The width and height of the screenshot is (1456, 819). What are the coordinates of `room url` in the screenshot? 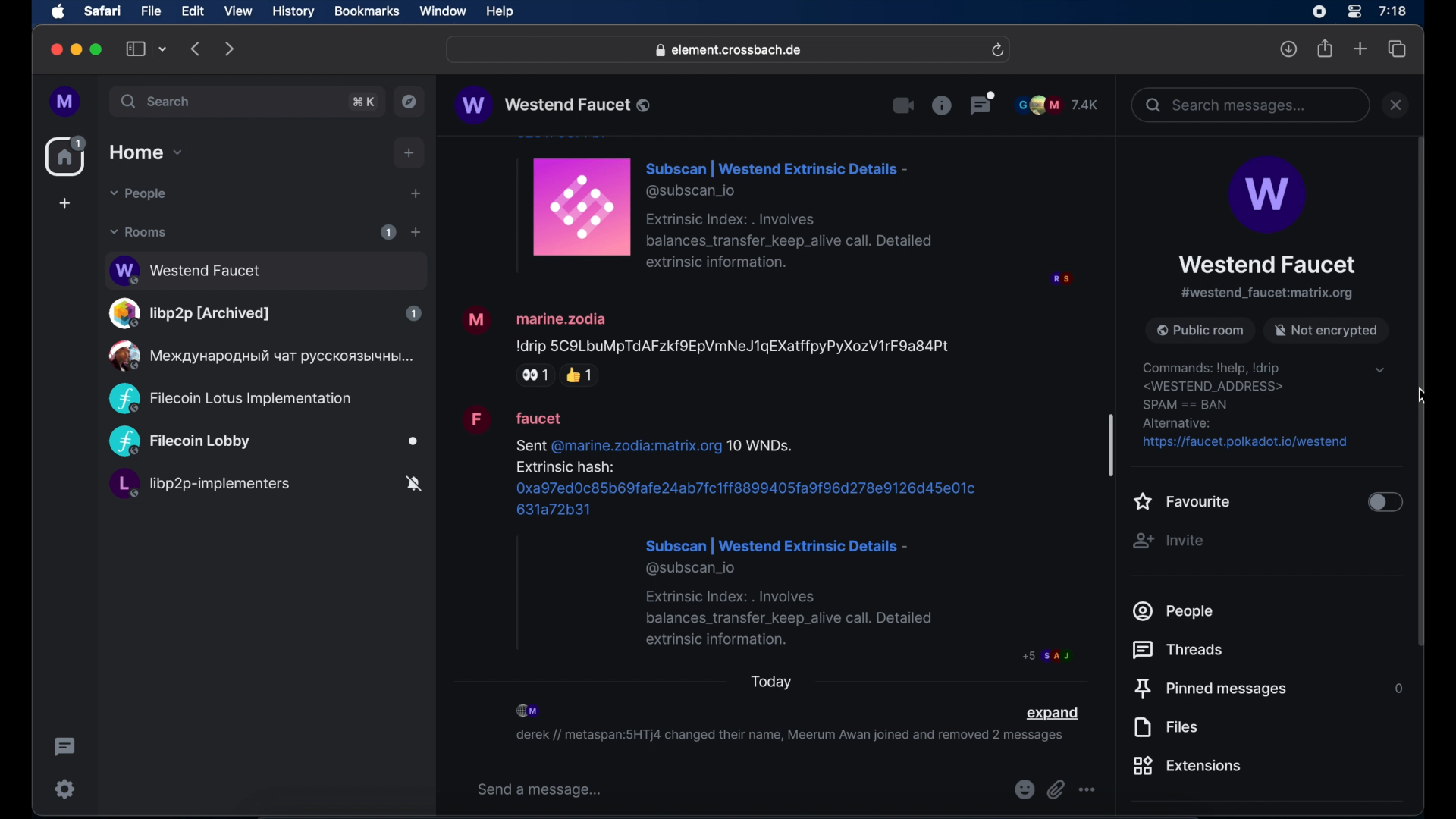 It's located at (1267, 293).